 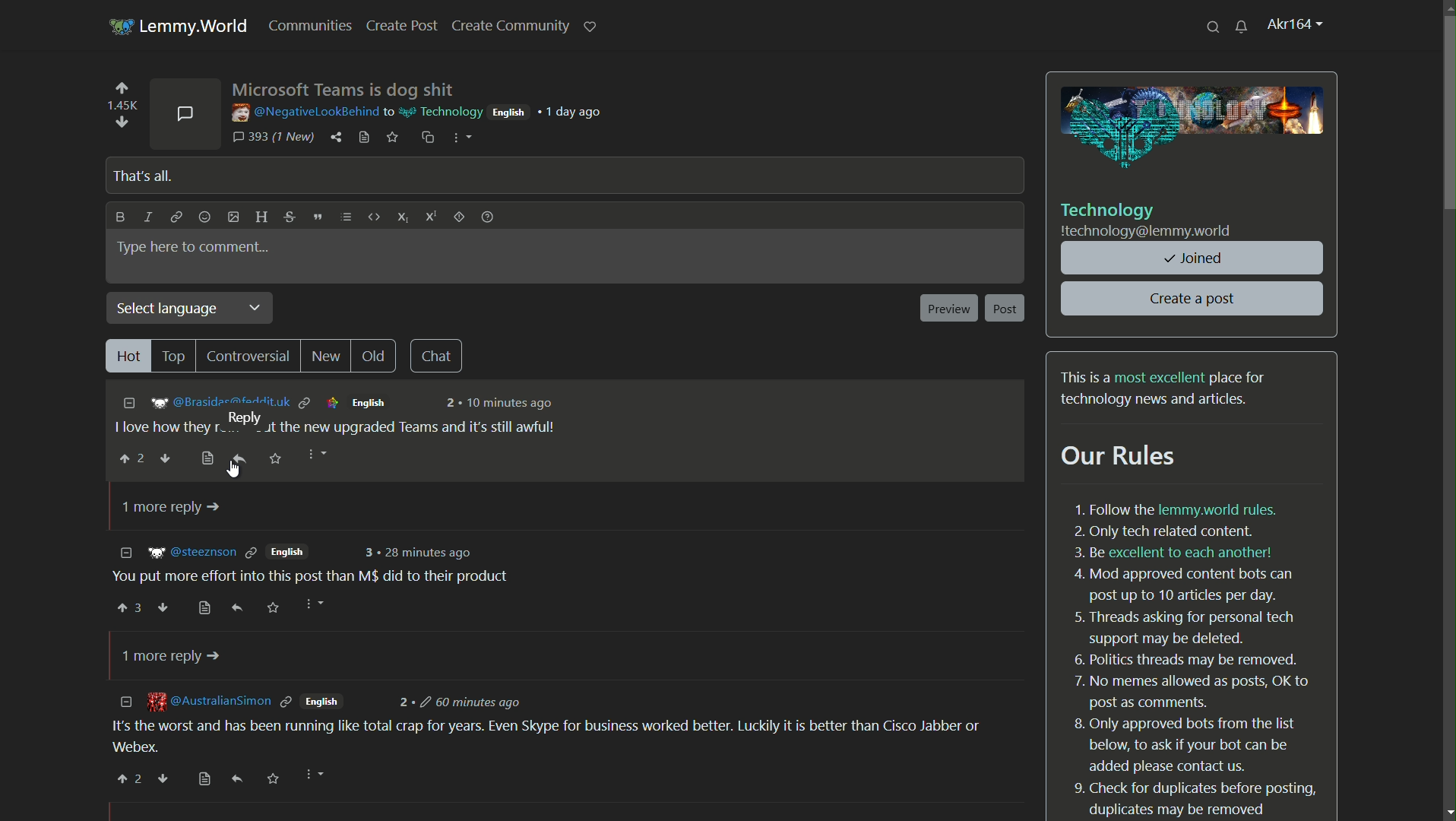 I want to click on chat, so click(x=439, y=356).